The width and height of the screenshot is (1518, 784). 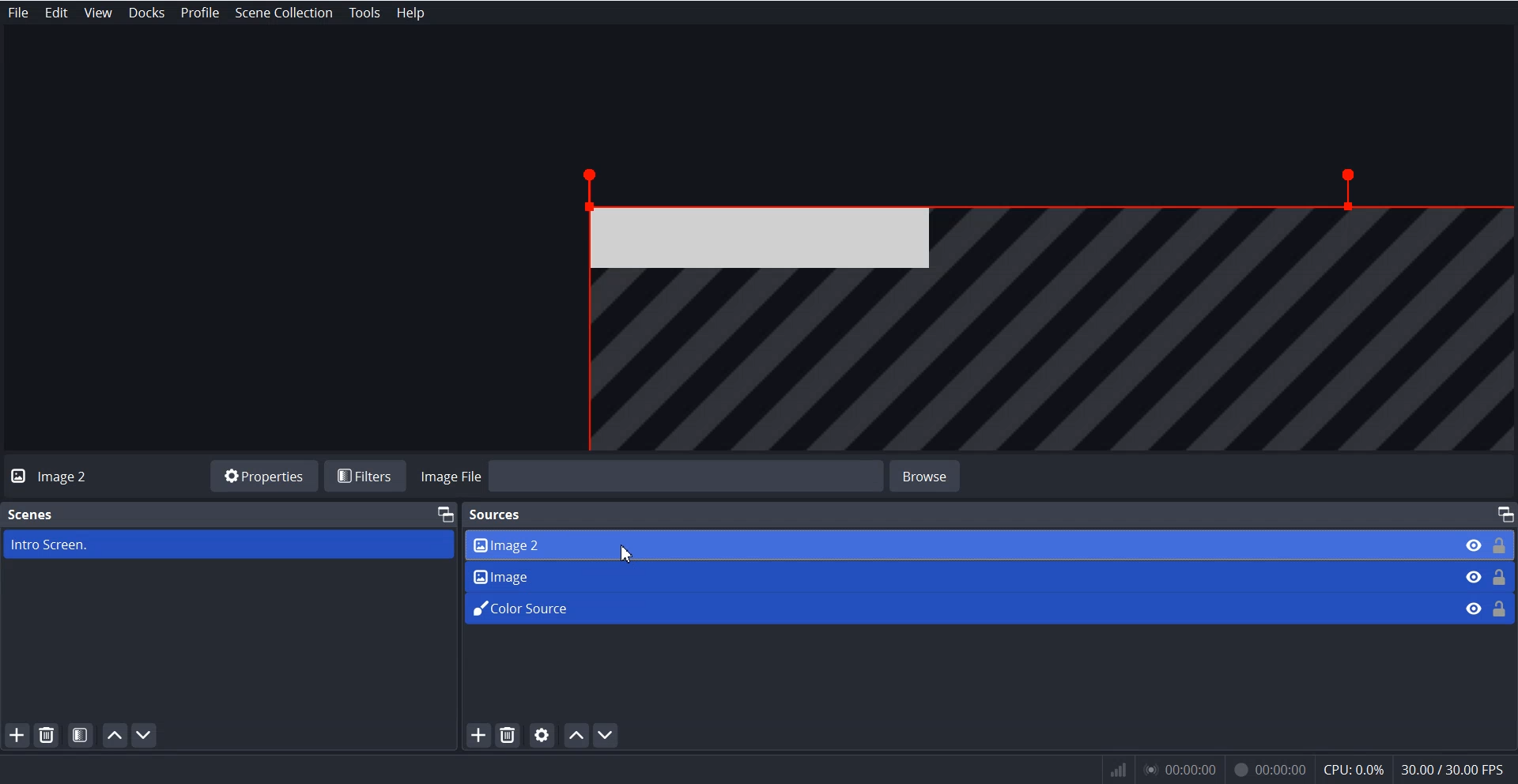 What do you see at coordinates (145, 13) in the screenshot?
I see `Docks` at bounding box center [145, 13].